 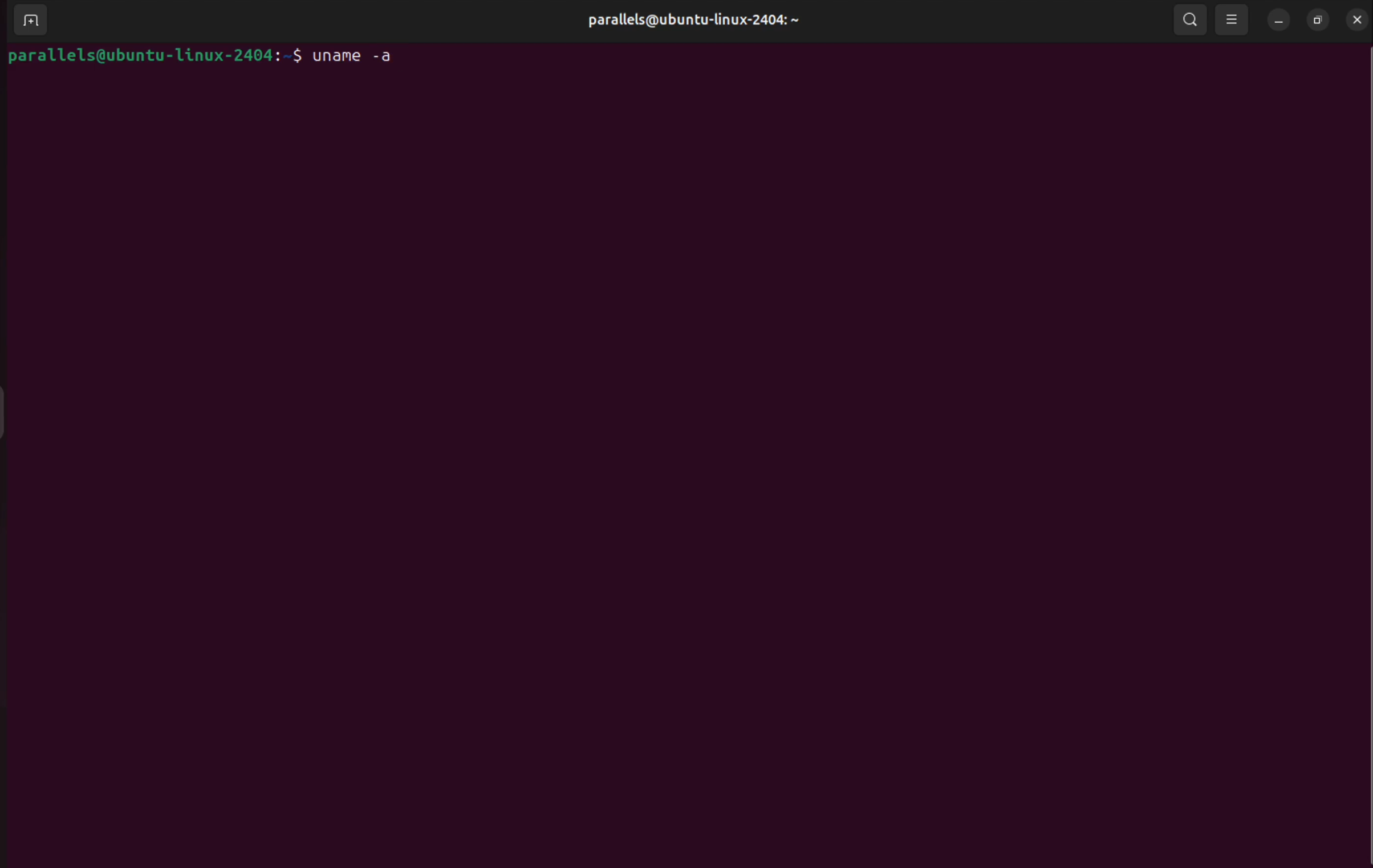 I want to click on parallels@ubuntu-linux-2404: ~, so click(x=692, y=19).